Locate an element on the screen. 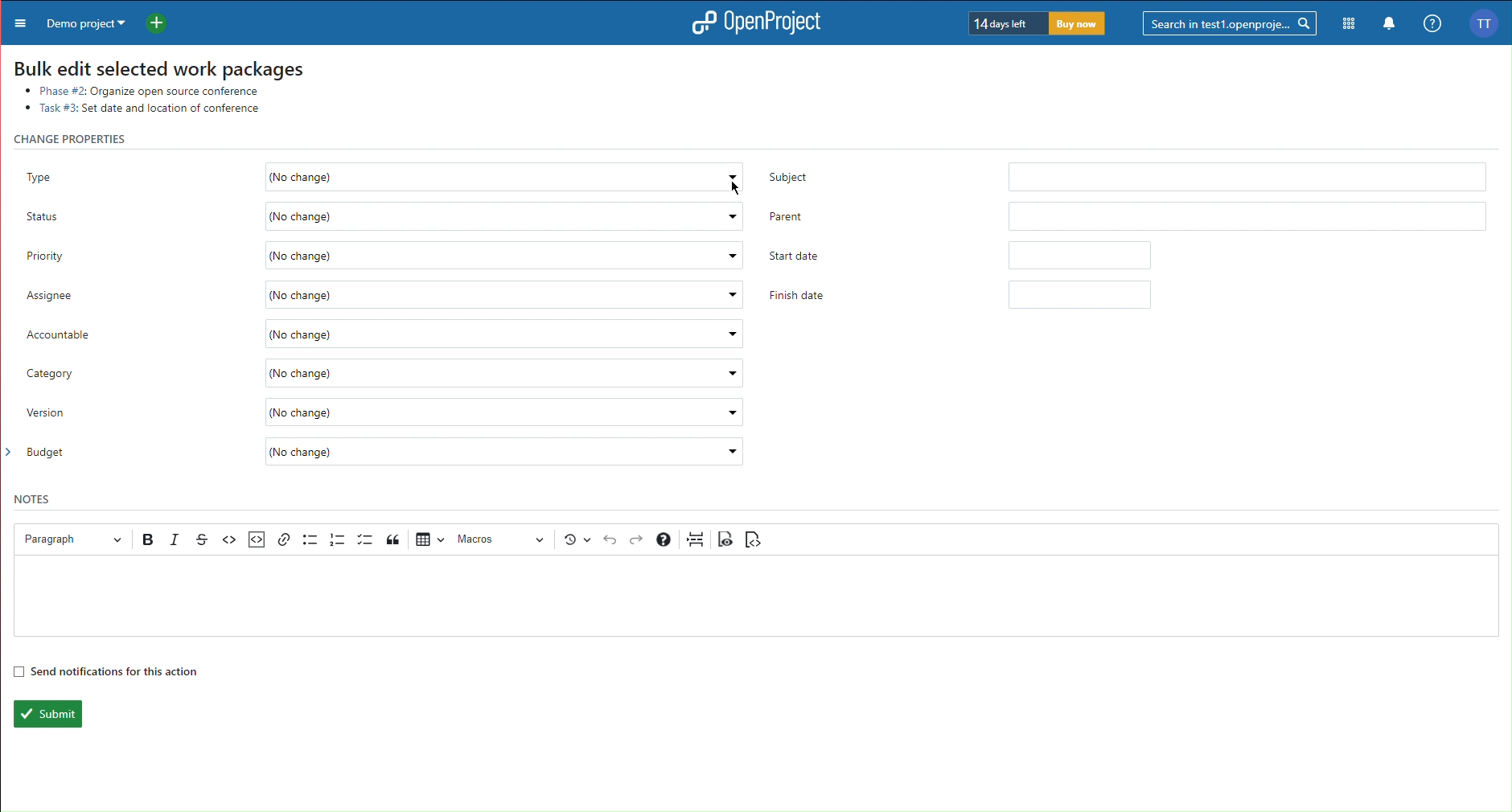  Category is located at coordinates (386, 375).